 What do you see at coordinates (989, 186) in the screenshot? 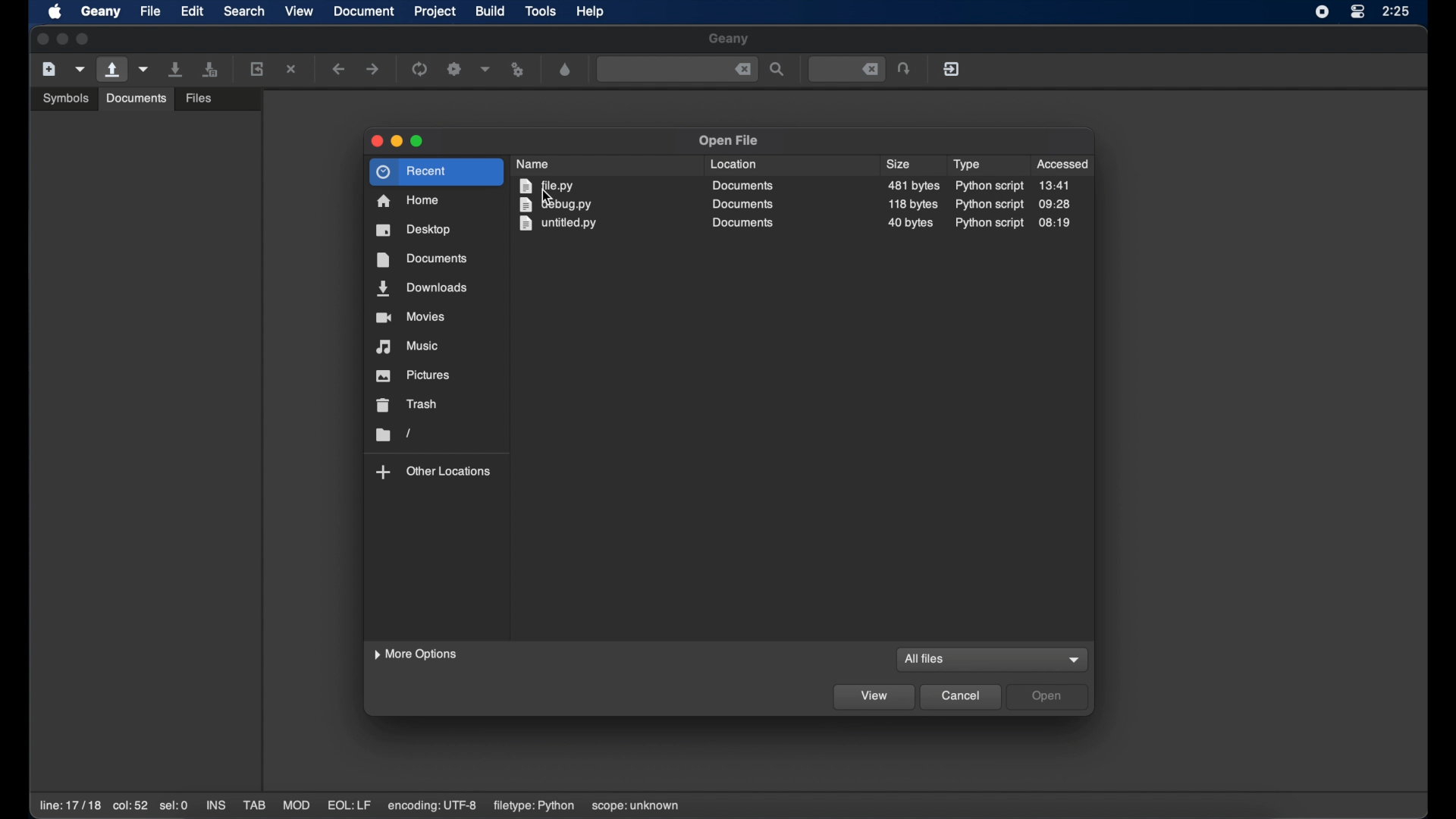
I see `python script` at bounding box center [989, 186].